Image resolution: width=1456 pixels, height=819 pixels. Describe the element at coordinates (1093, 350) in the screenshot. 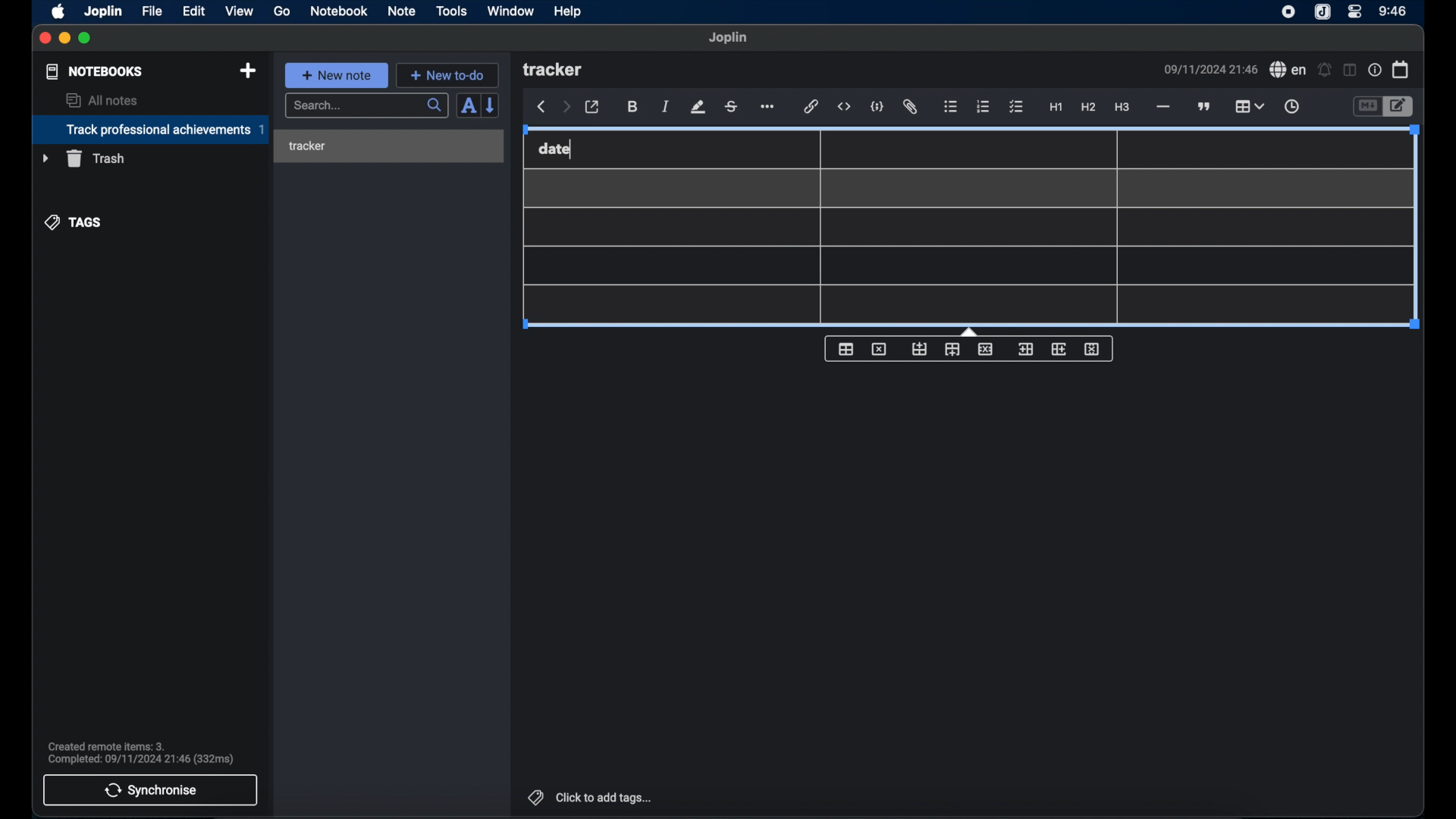

I see `delete column` at that location.